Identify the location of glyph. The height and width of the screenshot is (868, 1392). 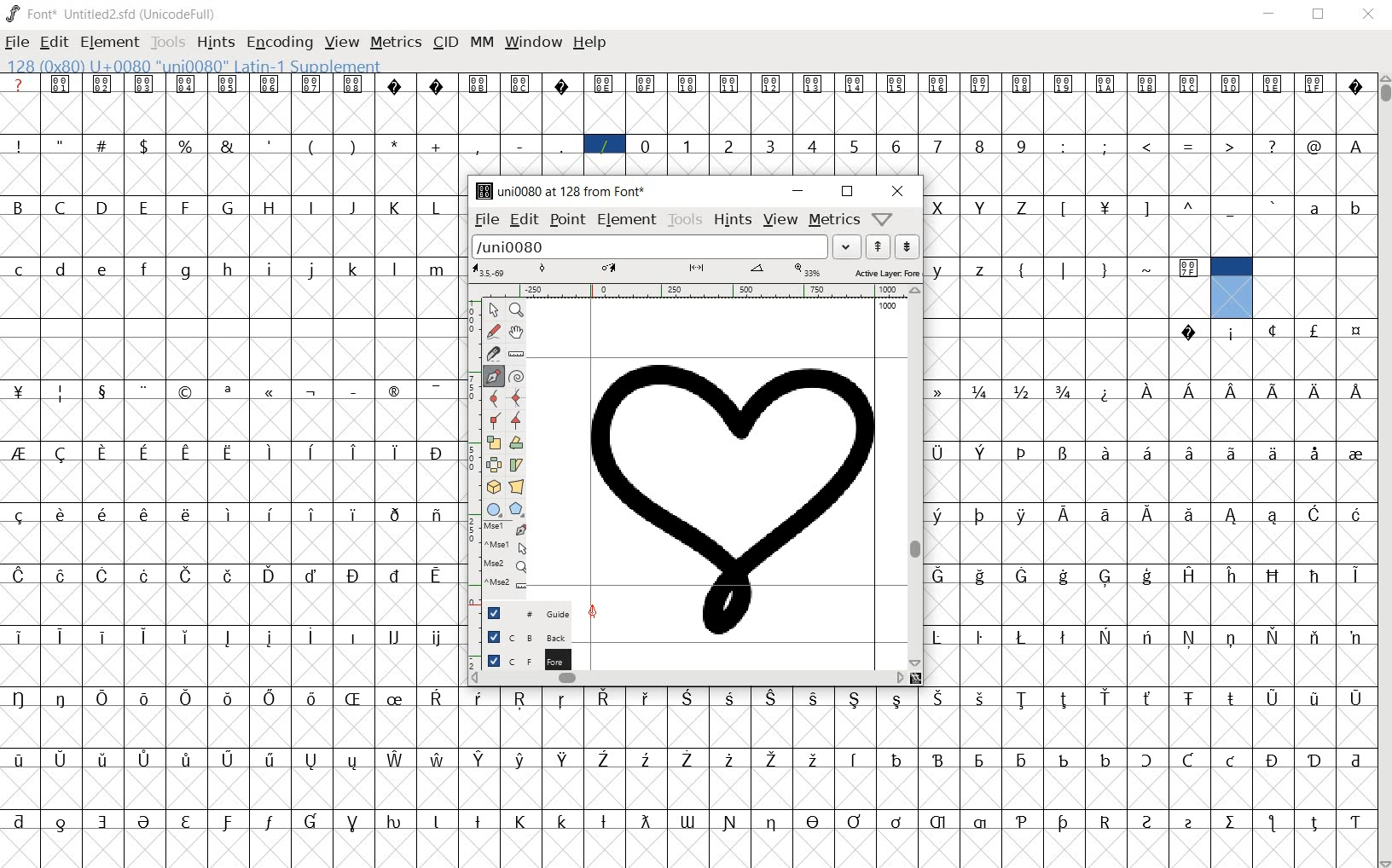
(564, 759).